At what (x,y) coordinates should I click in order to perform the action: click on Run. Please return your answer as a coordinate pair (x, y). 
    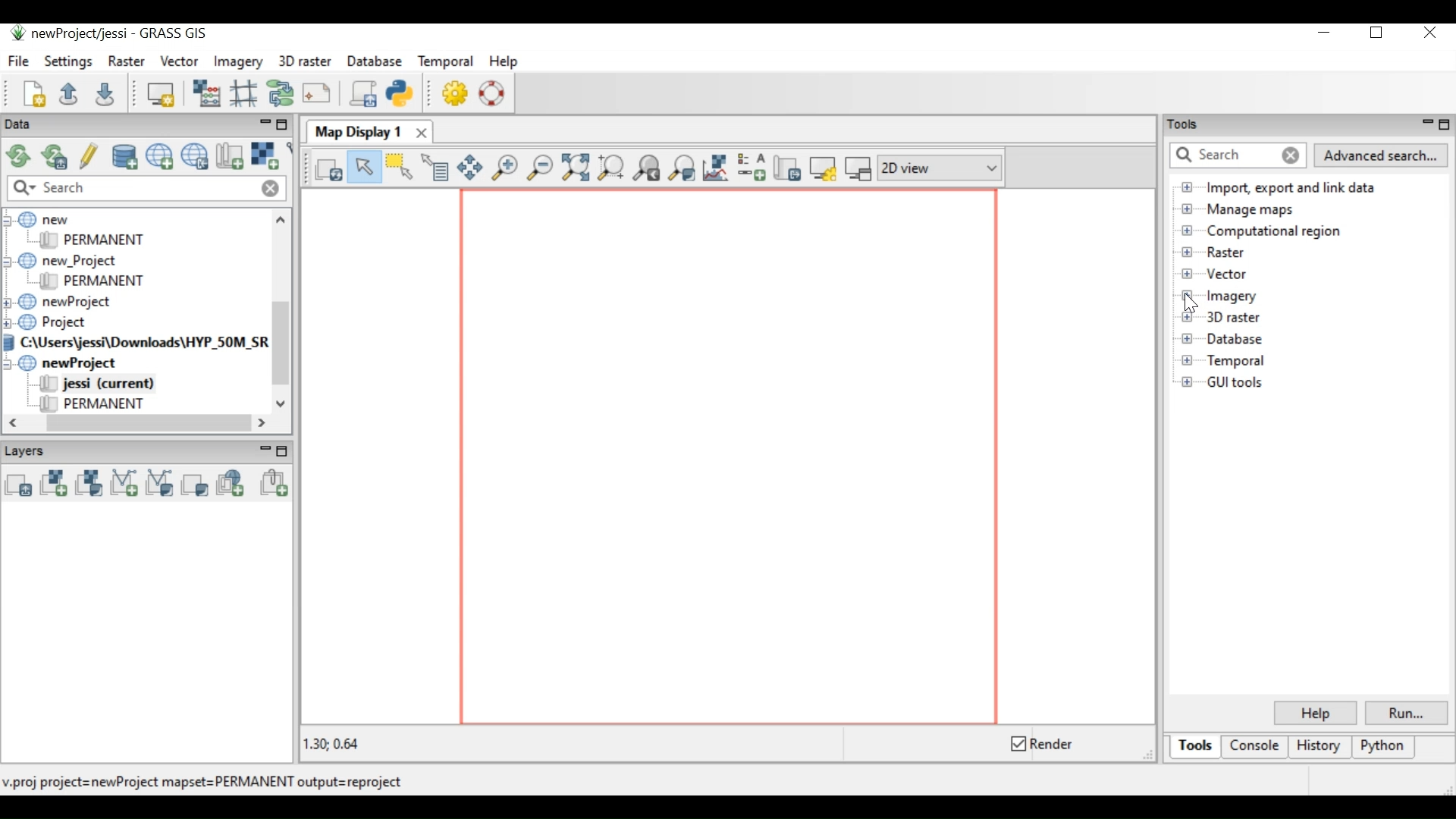
    Looking at the image, I should click on (1405, 712).